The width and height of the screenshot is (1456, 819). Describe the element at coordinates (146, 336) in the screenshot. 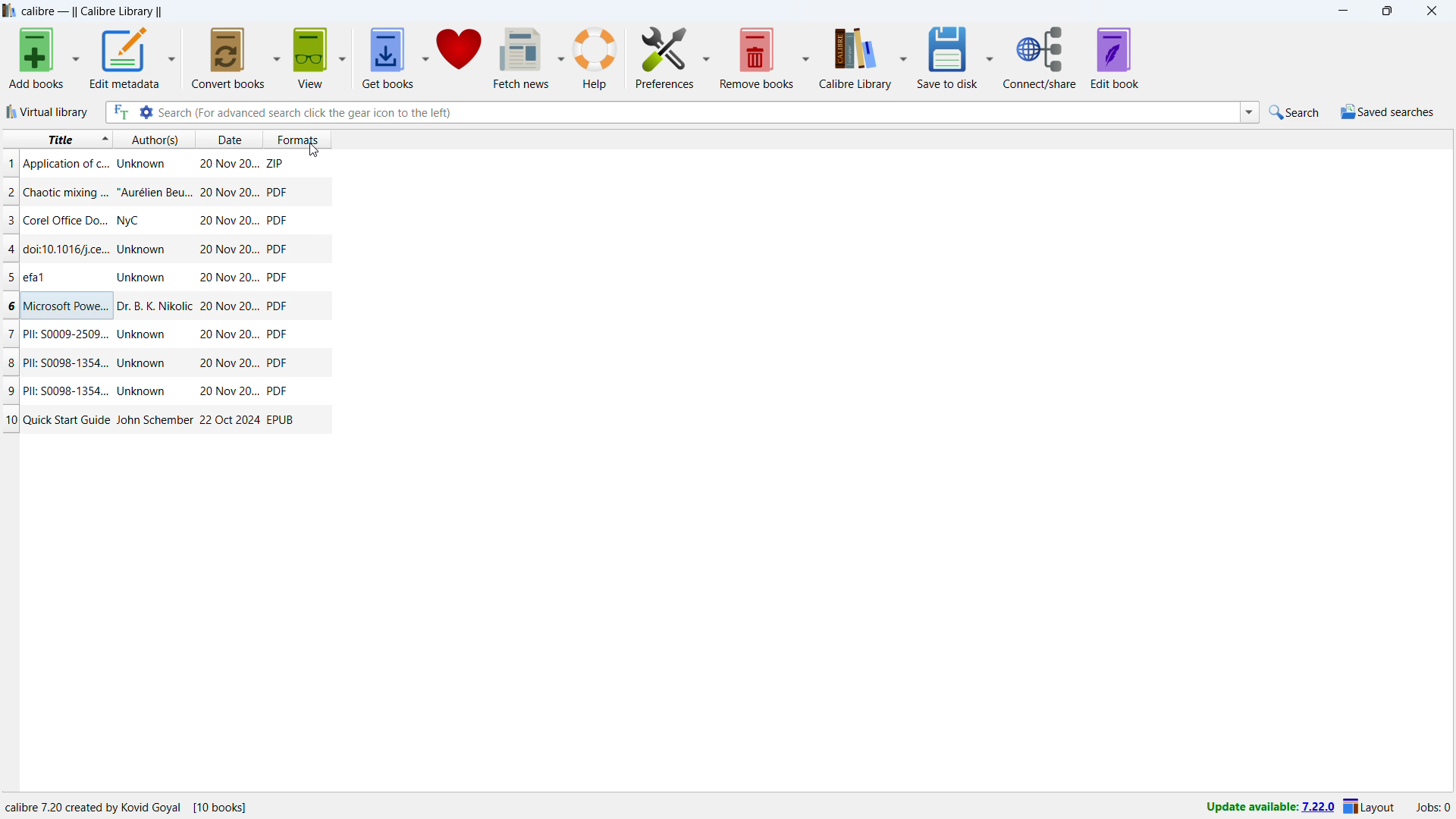

I see `author` at that location.